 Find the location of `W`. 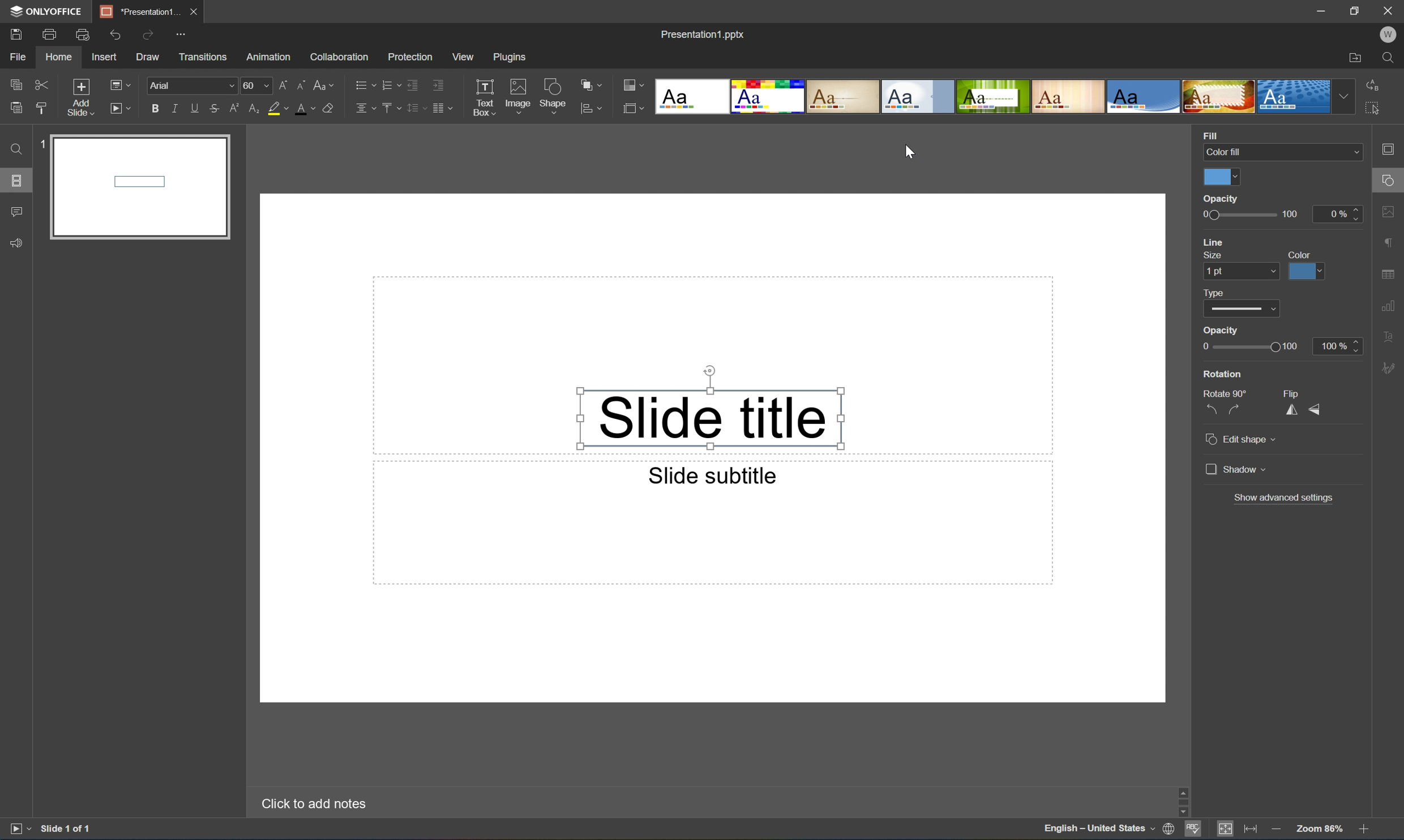

W is located at coordinates (1388, 32).